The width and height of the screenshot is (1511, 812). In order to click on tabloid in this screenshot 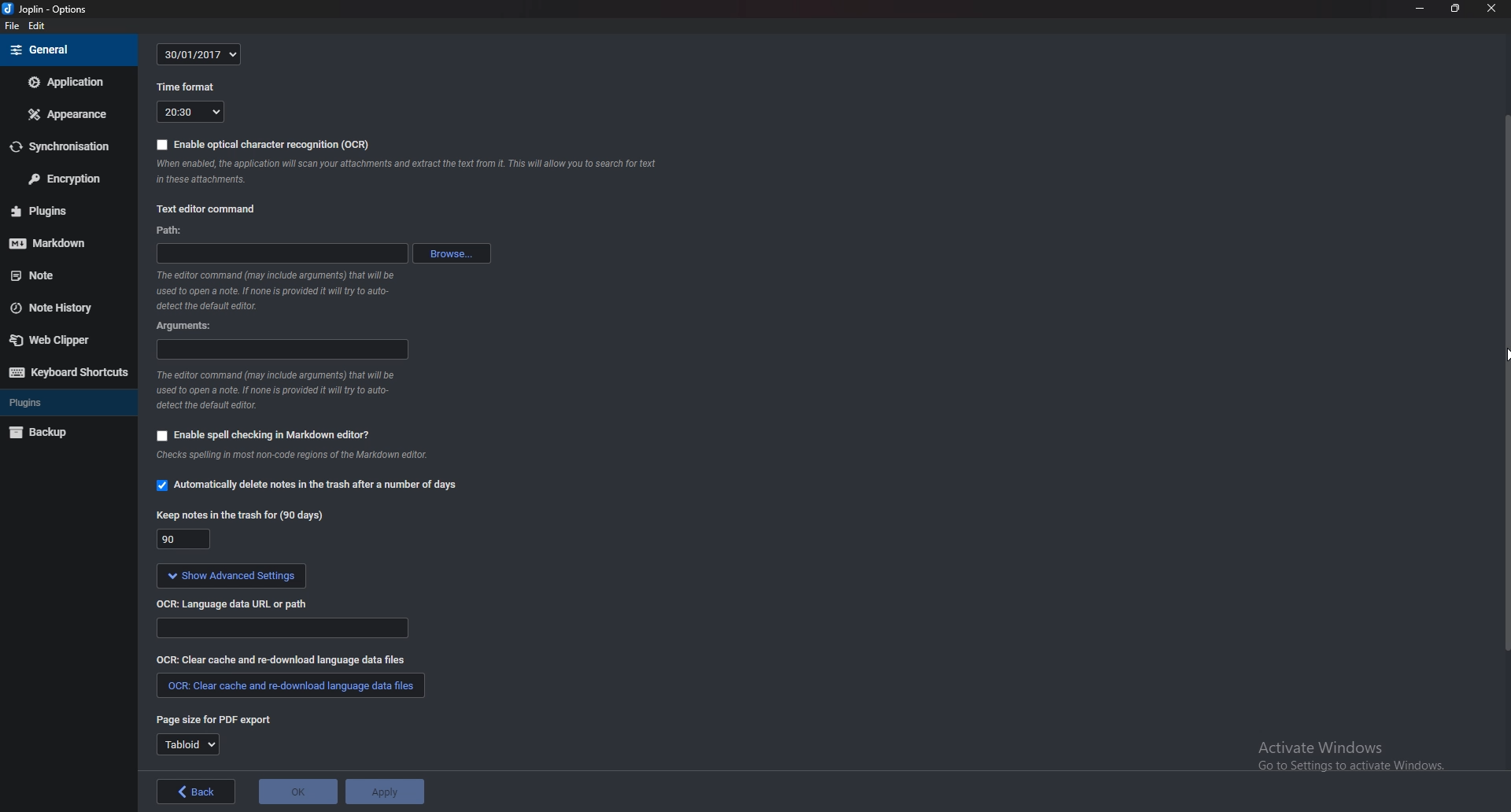, I will do `click(187, 744)`.